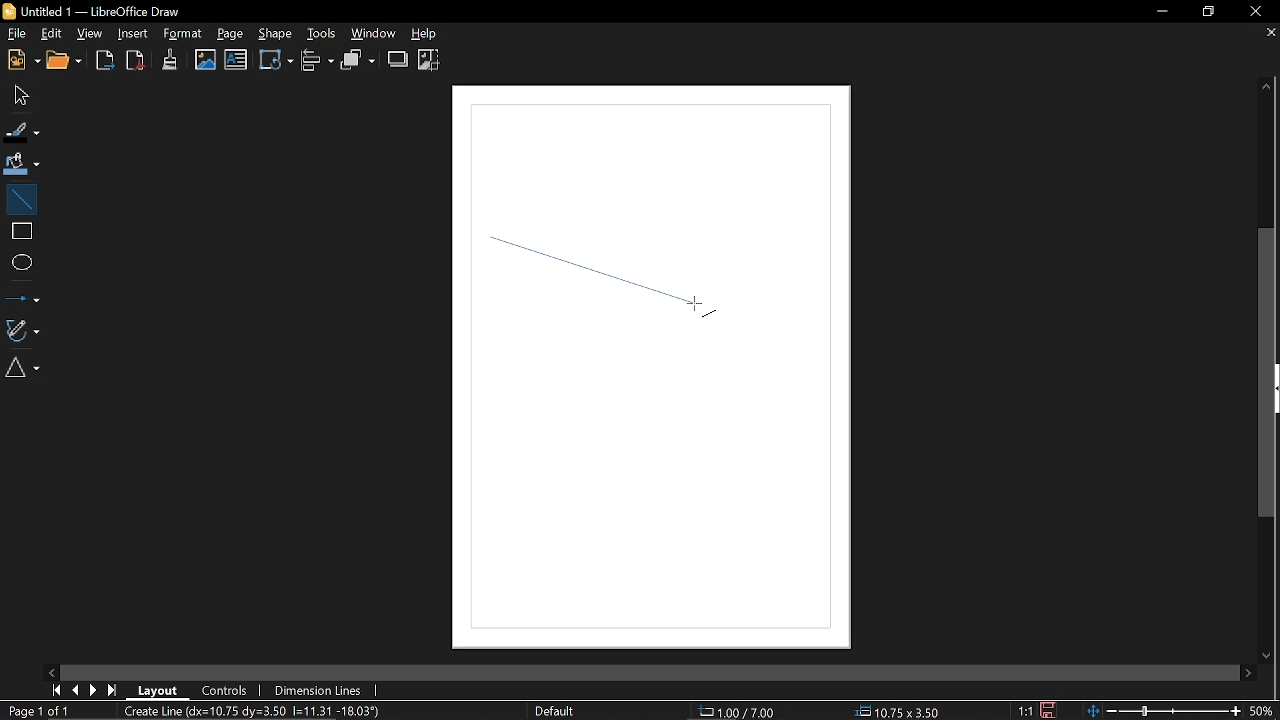  I want to click on Last Page, so click(113, 690).